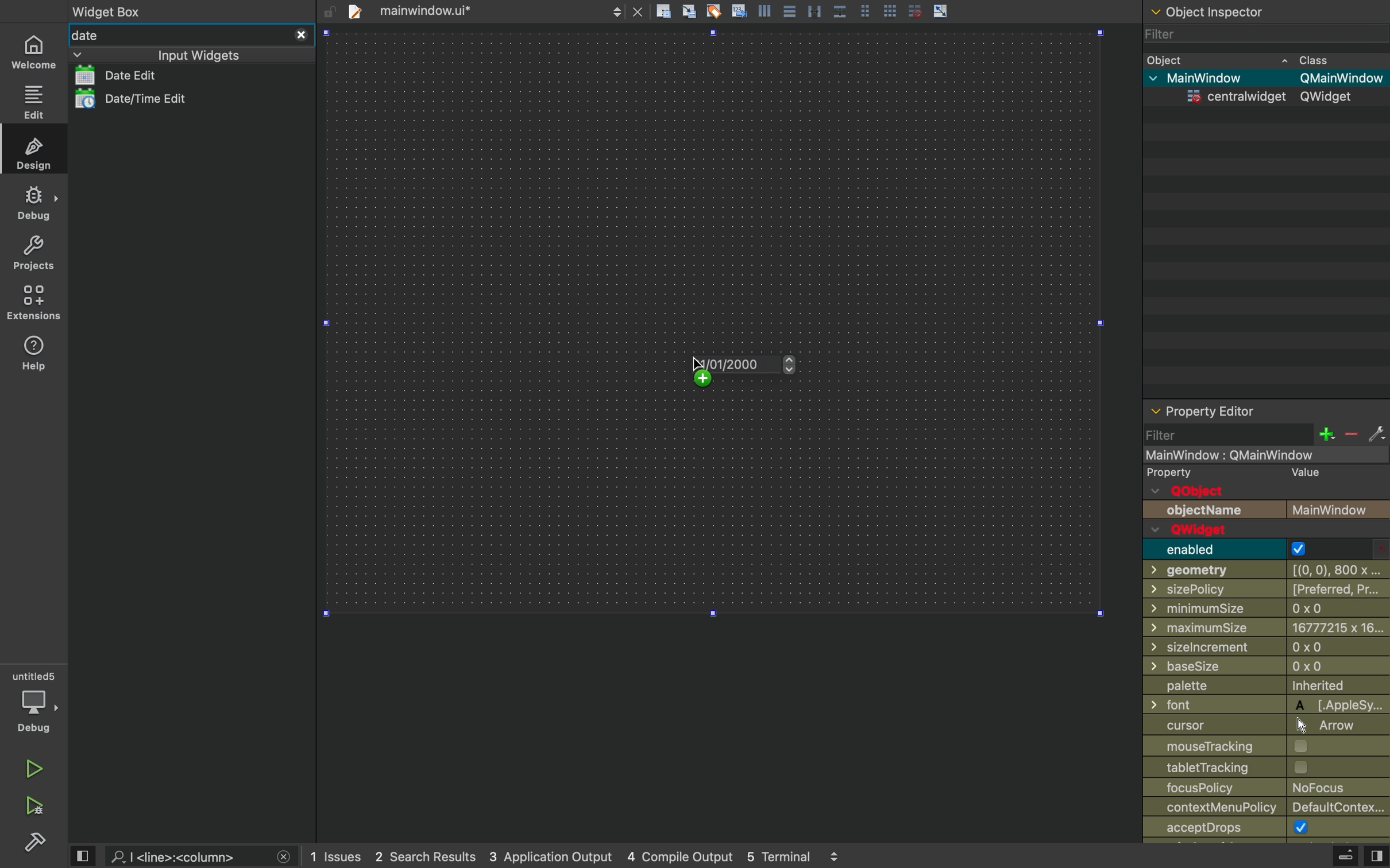 This screenshot has height=868, width=1390. Describe the element at coordinates (1261, 610) in the screenshot. I see `minimussize` at that location.